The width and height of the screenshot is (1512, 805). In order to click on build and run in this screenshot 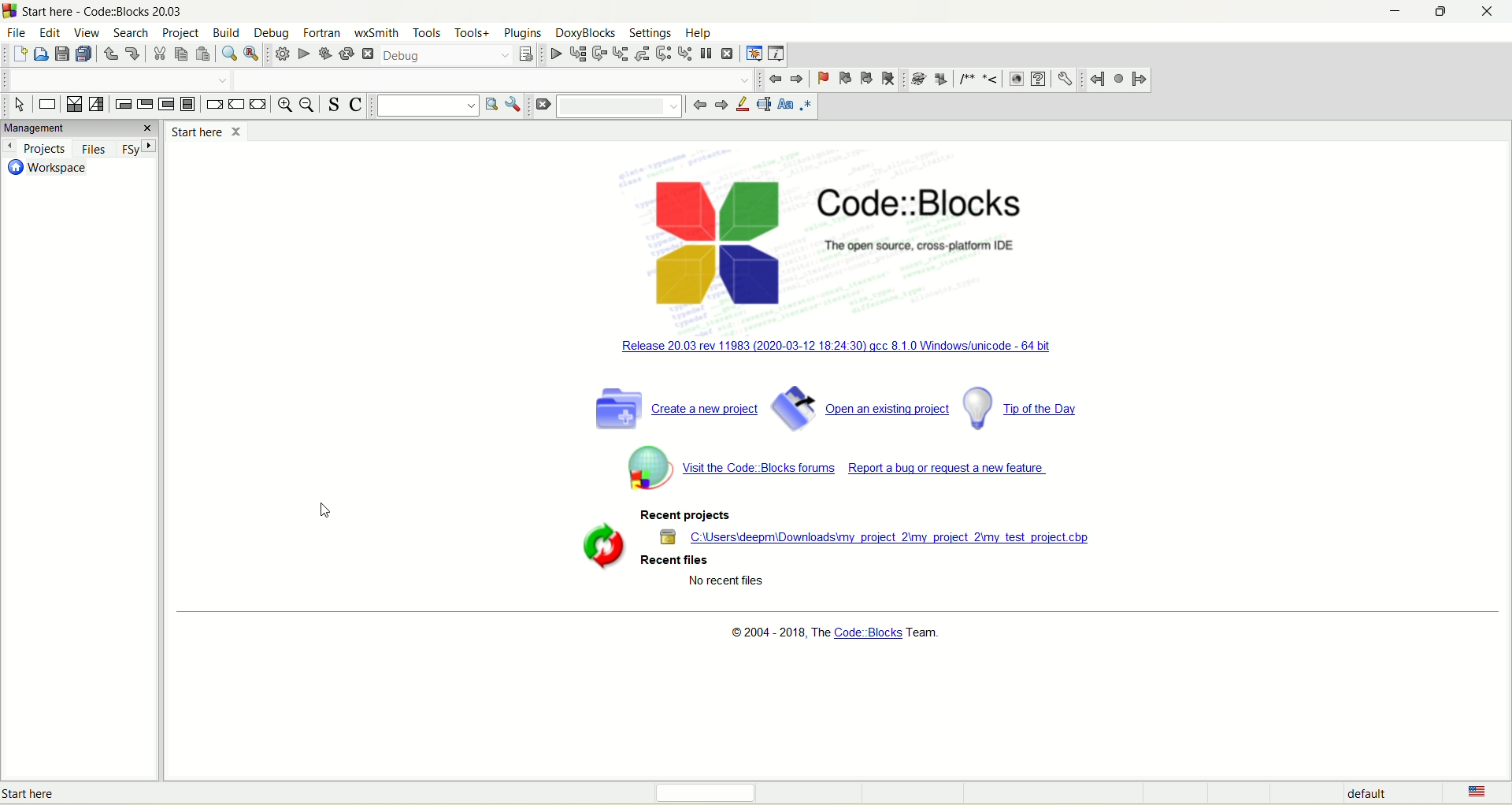, I will do `click(324, 52)`.